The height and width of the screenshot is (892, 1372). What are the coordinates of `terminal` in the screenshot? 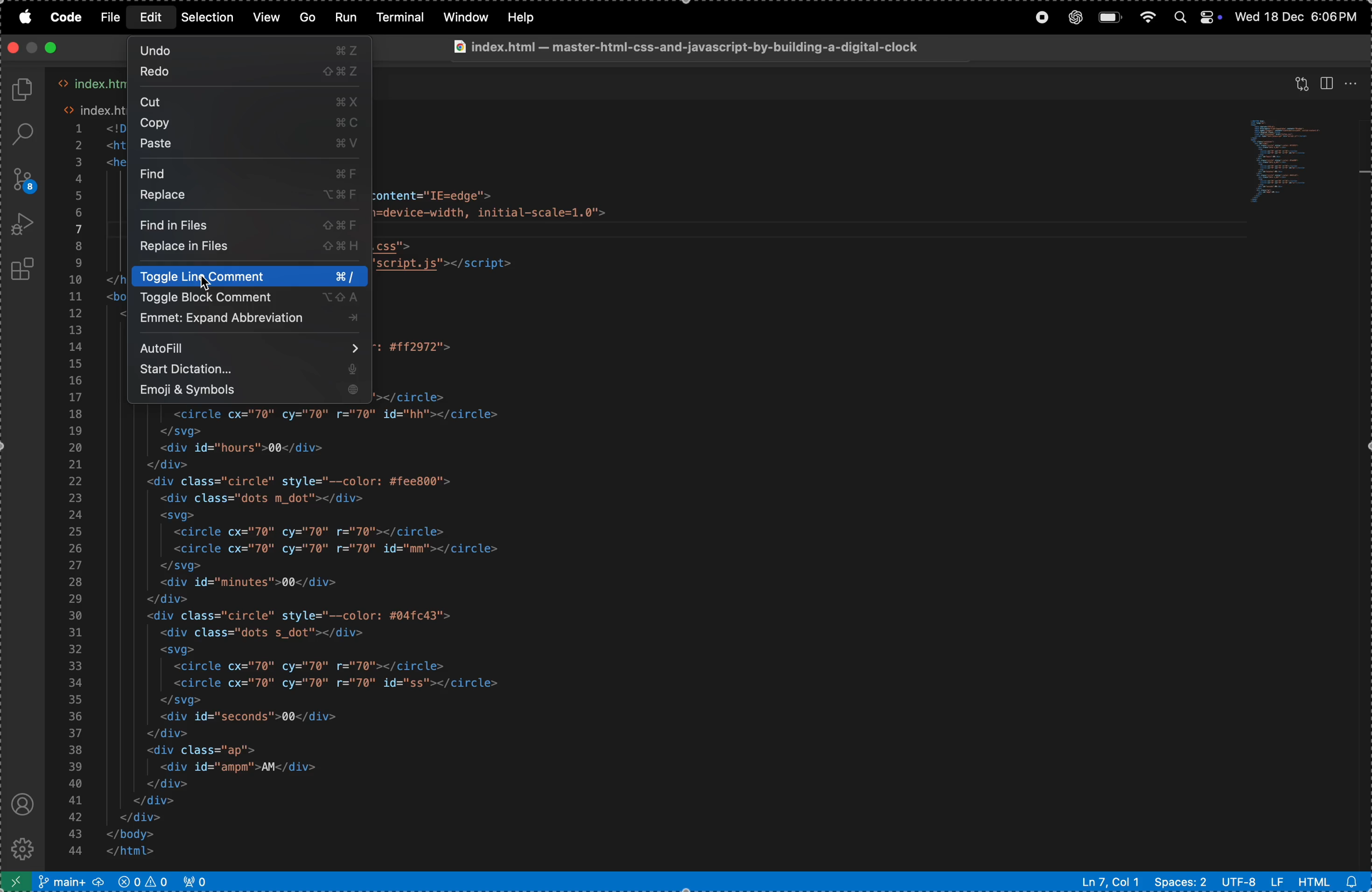 It's located at (400, 17).